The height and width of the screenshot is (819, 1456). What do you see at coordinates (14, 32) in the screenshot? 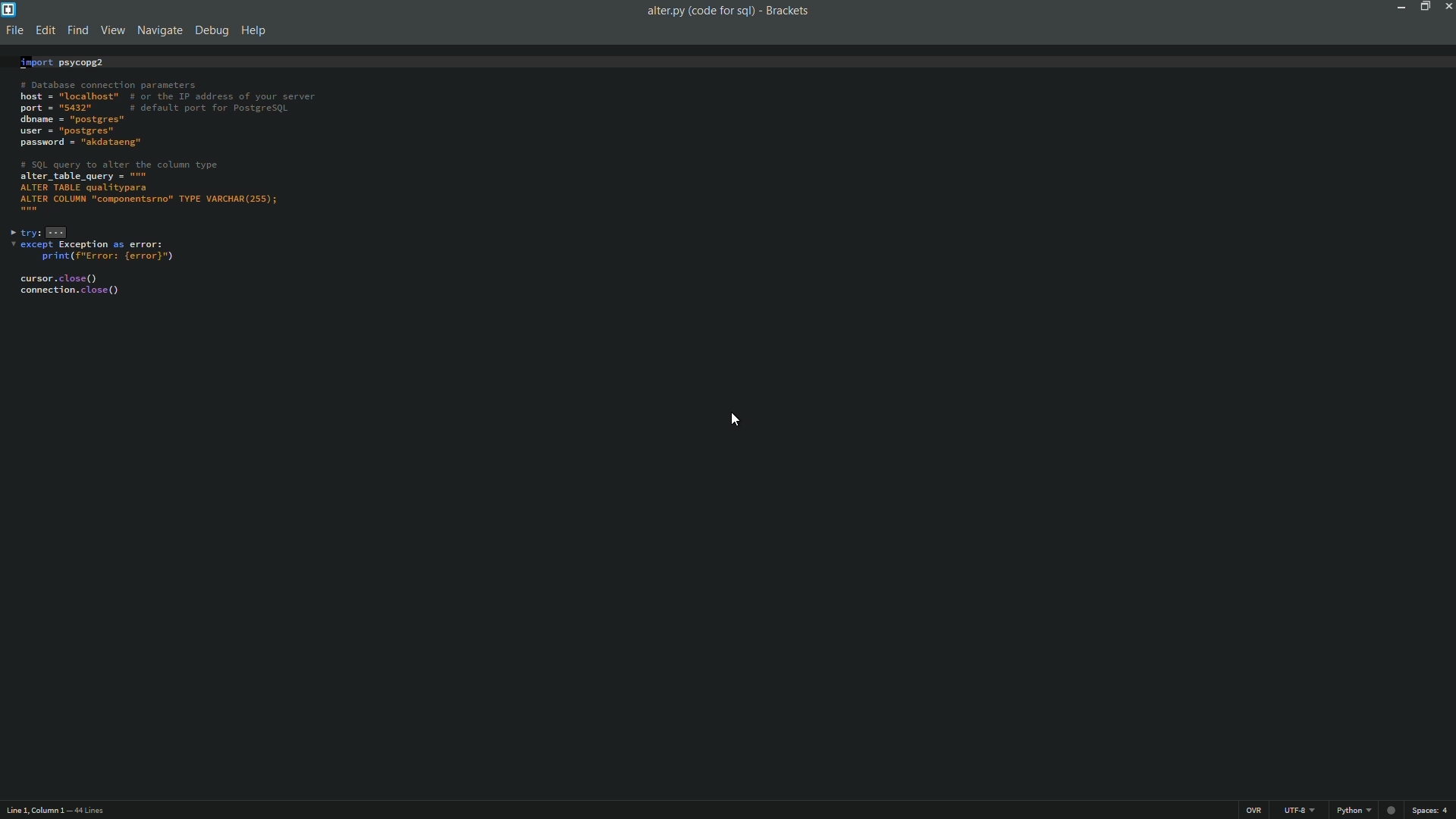
I see `file menu` at bounding box center [14, 32].